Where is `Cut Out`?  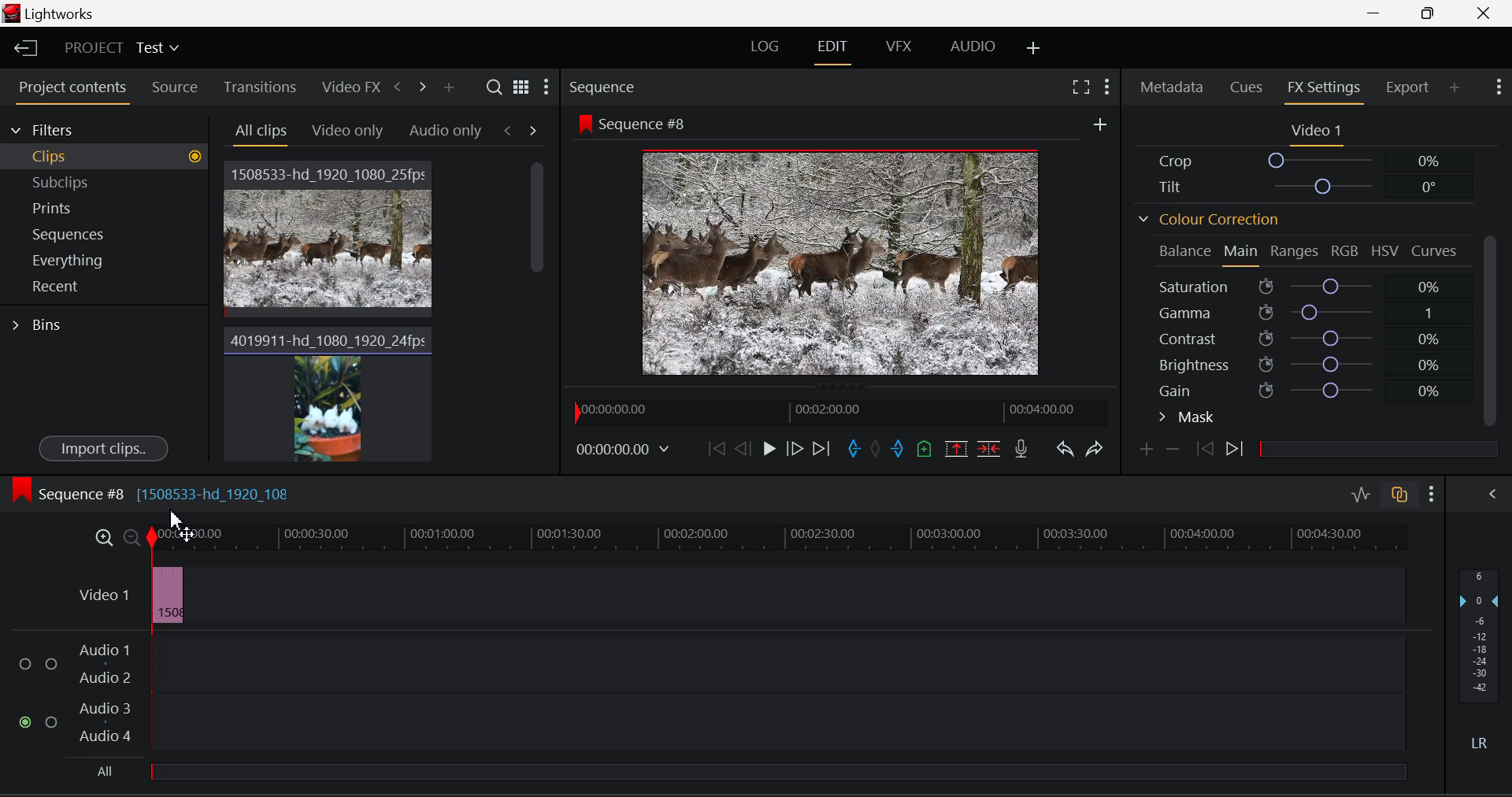 Cut Out is located at coordinates (899, 450).